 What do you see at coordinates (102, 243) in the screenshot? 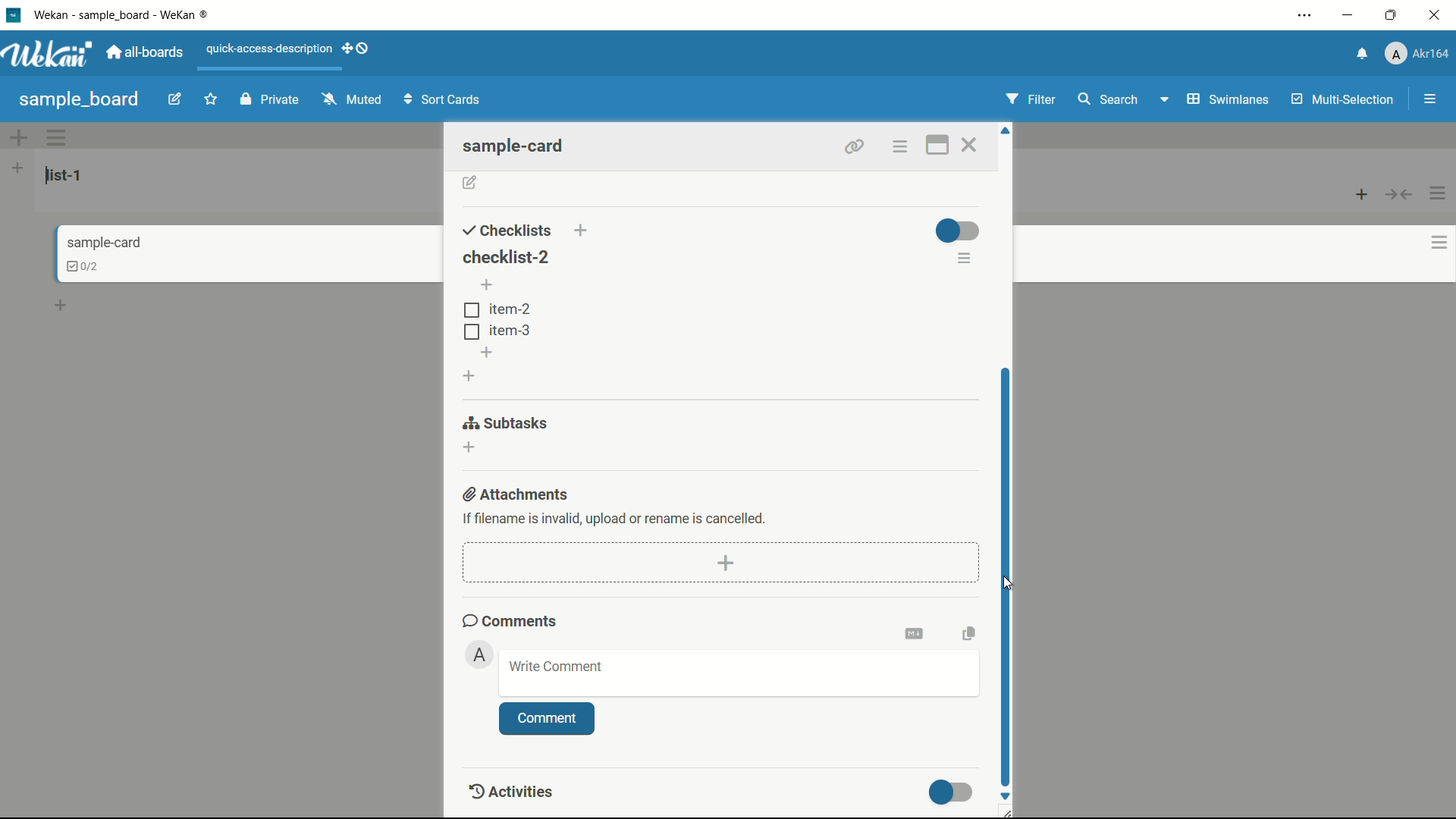
I see `card name` at bounding box center [102, 243].